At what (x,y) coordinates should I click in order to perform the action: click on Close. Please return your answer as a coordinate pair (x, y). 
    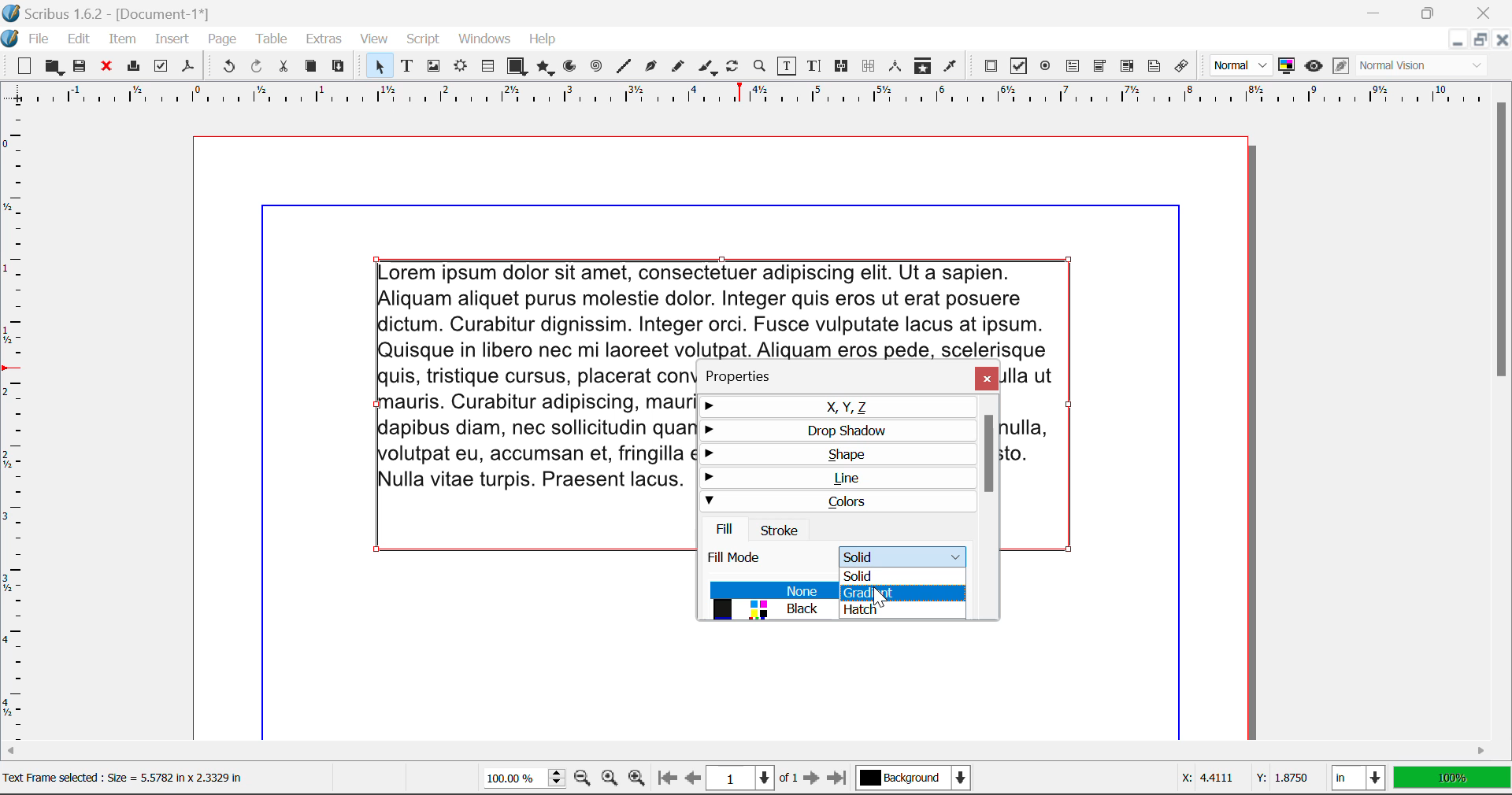
    Looking at the image, I should click on (1501, 39).